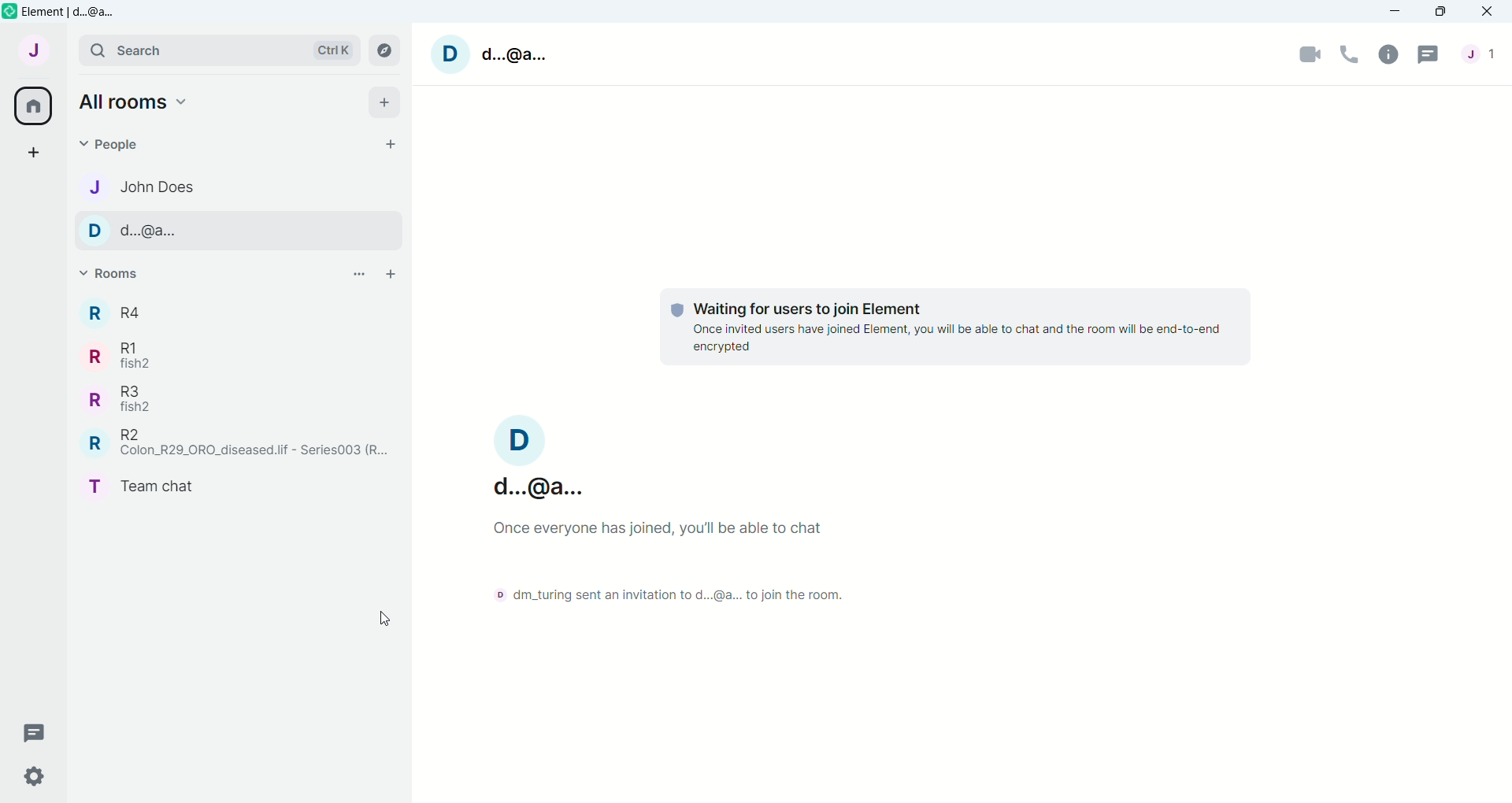 The image size is (1512, 803). Describe the element at coordinates (654, 527) in the screenshot. I see `Once everyone has joined, you'll be able to chat` at that location.